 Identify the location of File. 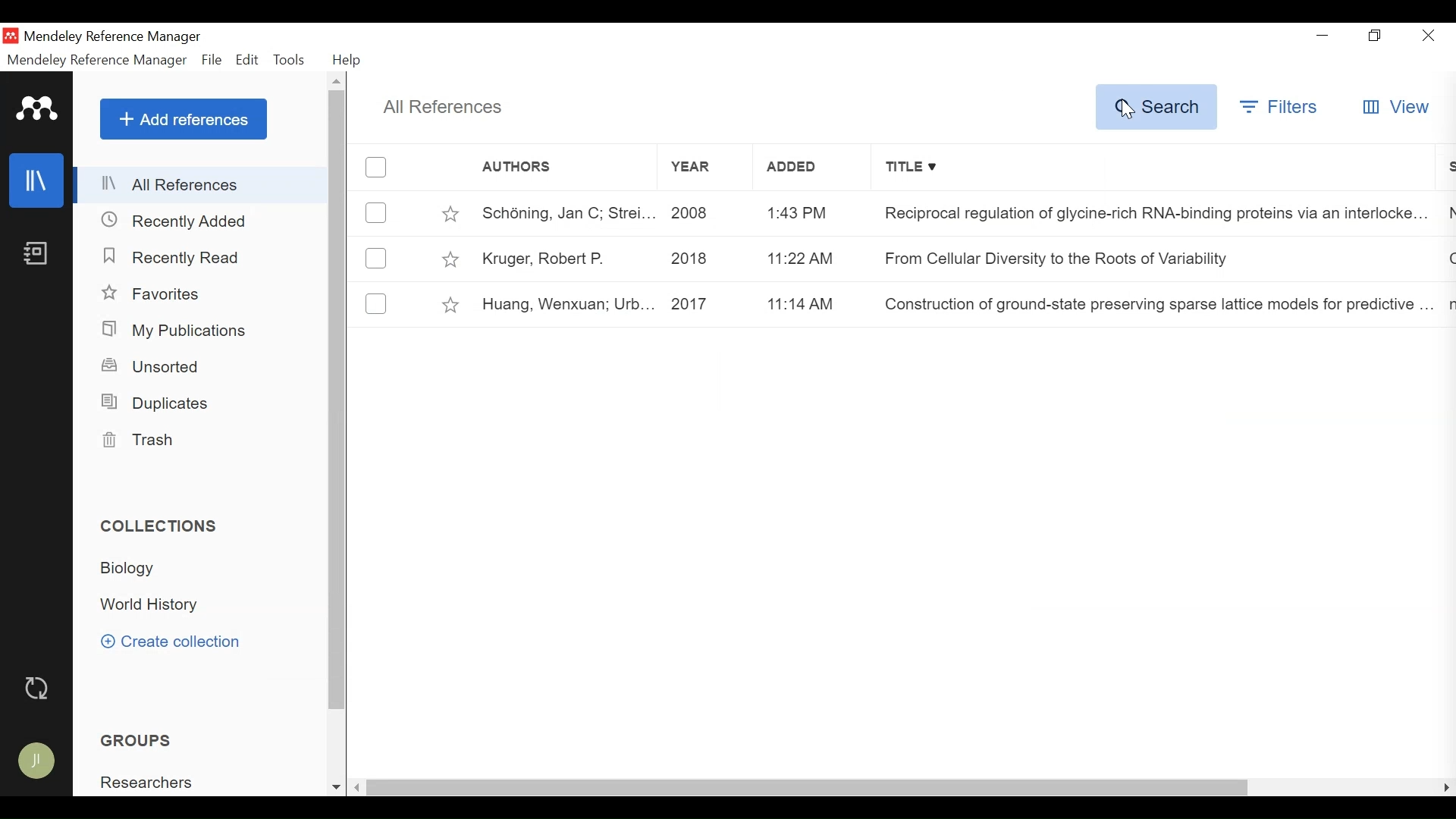
(212, 61).